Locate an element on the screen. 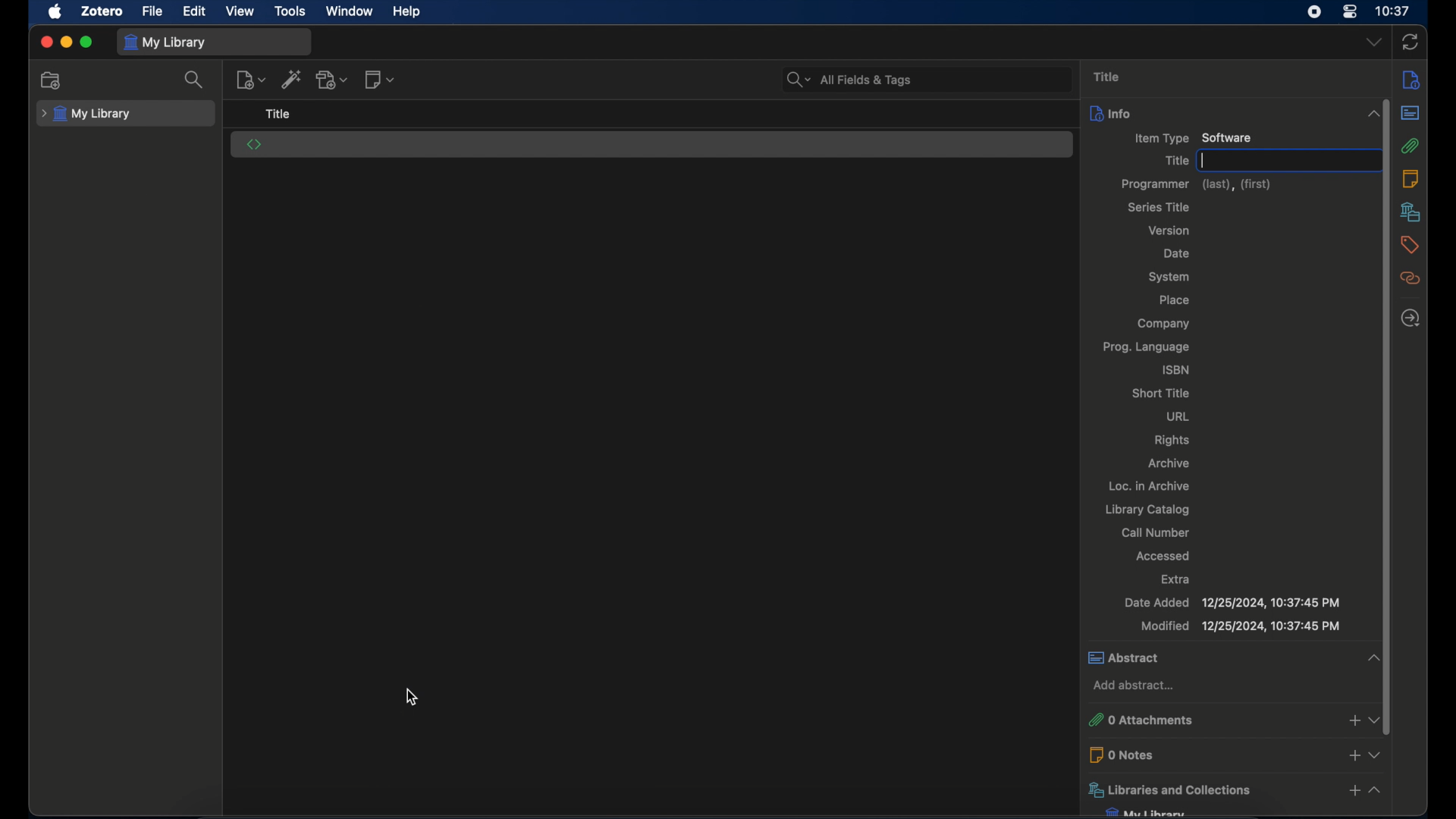 This screenshot has height=819, width=1456. title  is located at coordinates (278, 115).